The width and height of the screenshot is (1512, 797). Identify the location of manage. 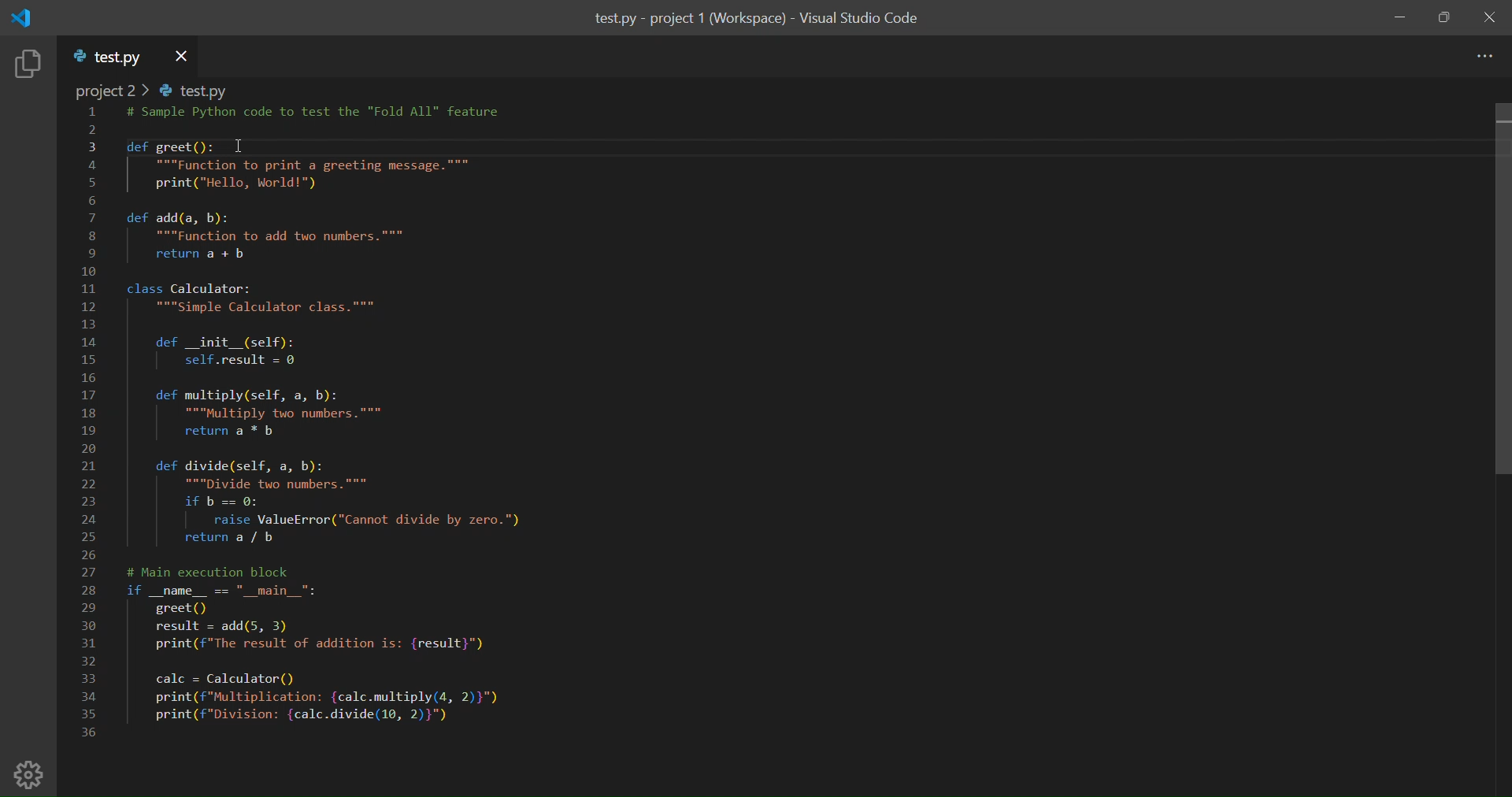
(32, 773).